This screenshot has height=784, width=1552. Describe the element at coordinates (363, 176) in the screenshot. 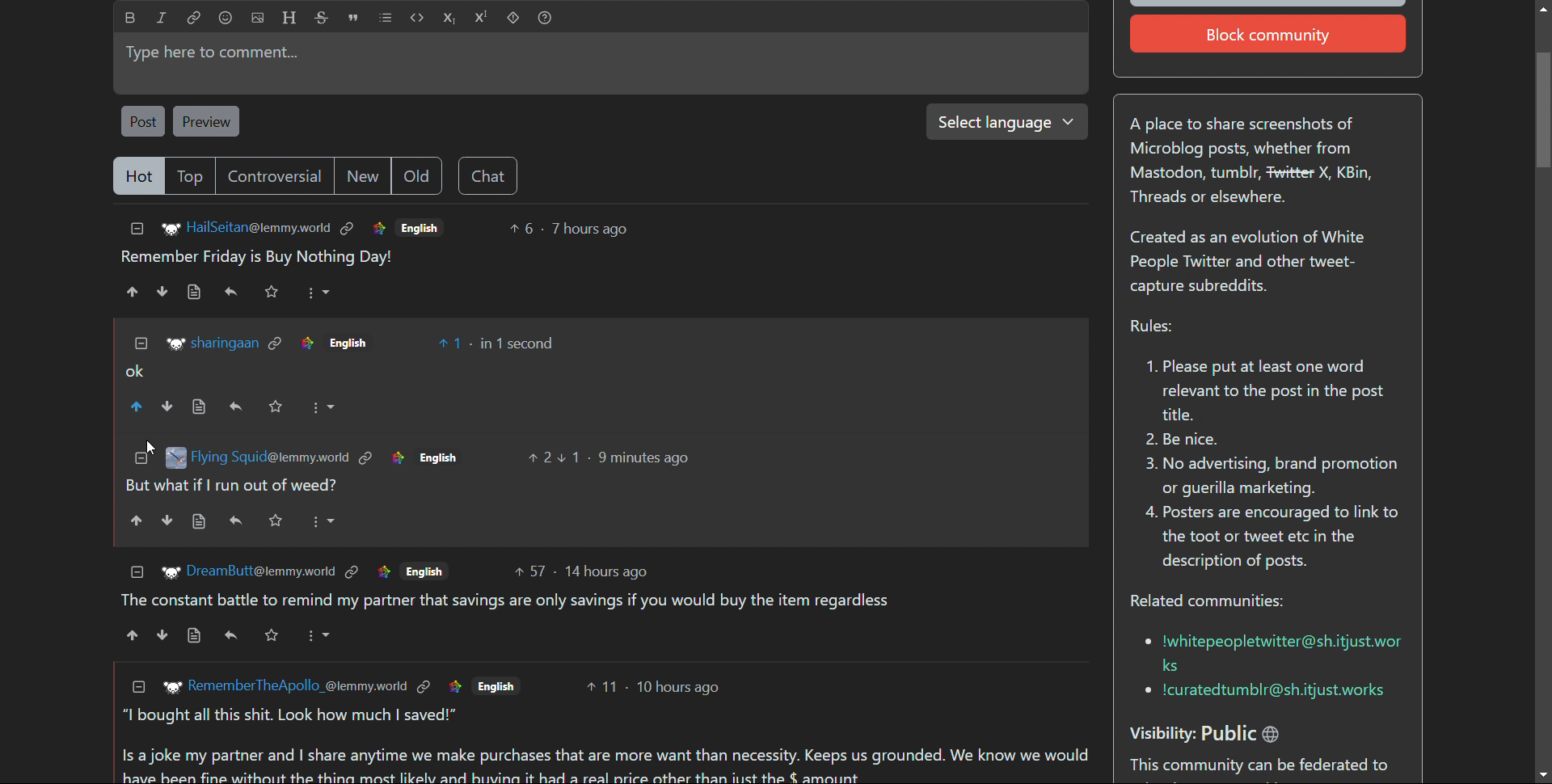

I see `new` at that location.